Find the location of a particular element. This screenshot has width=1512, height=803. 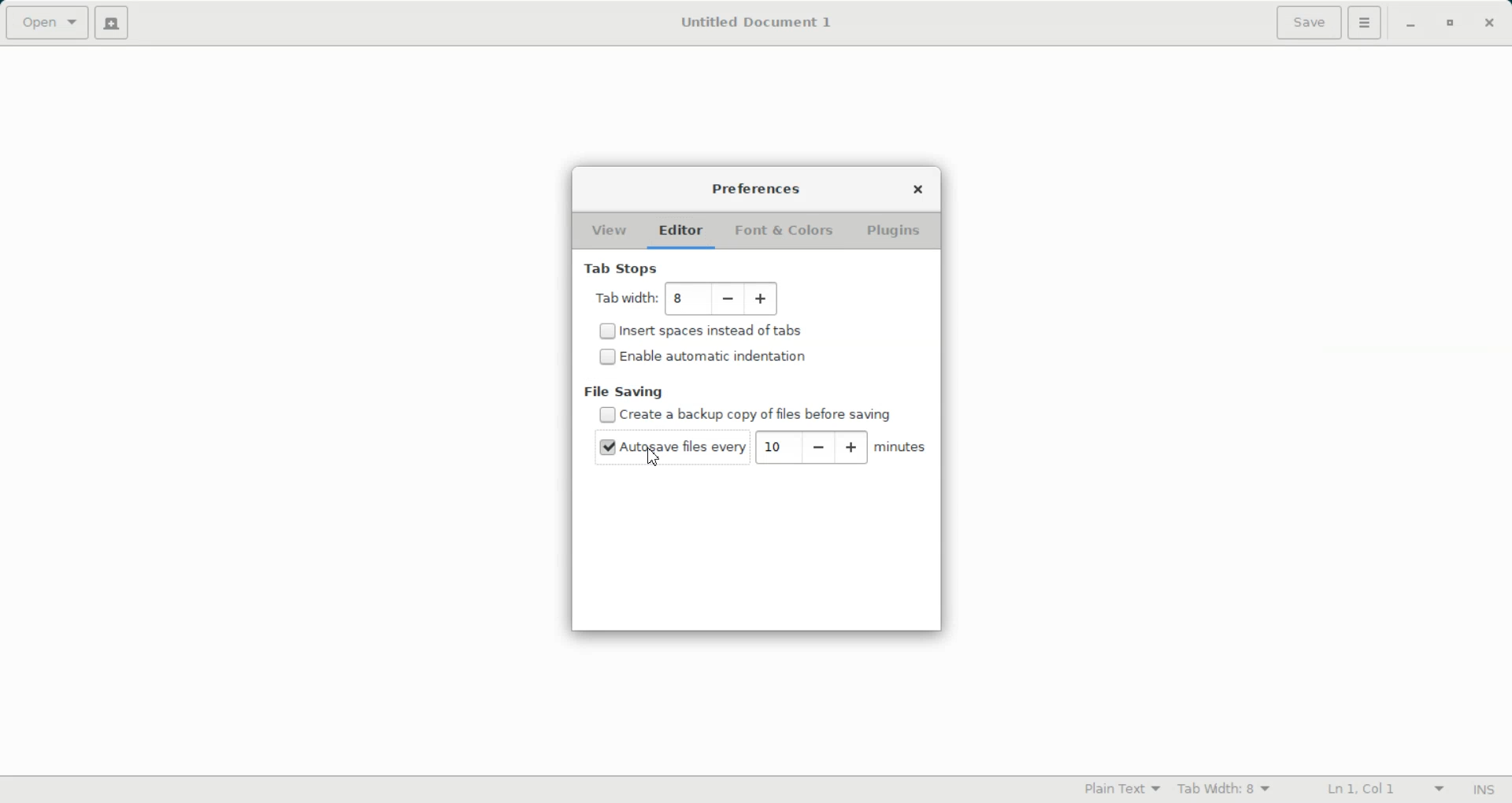

(un)check Autosave file every 10 minutes saved is located at coordinates (666, 447).